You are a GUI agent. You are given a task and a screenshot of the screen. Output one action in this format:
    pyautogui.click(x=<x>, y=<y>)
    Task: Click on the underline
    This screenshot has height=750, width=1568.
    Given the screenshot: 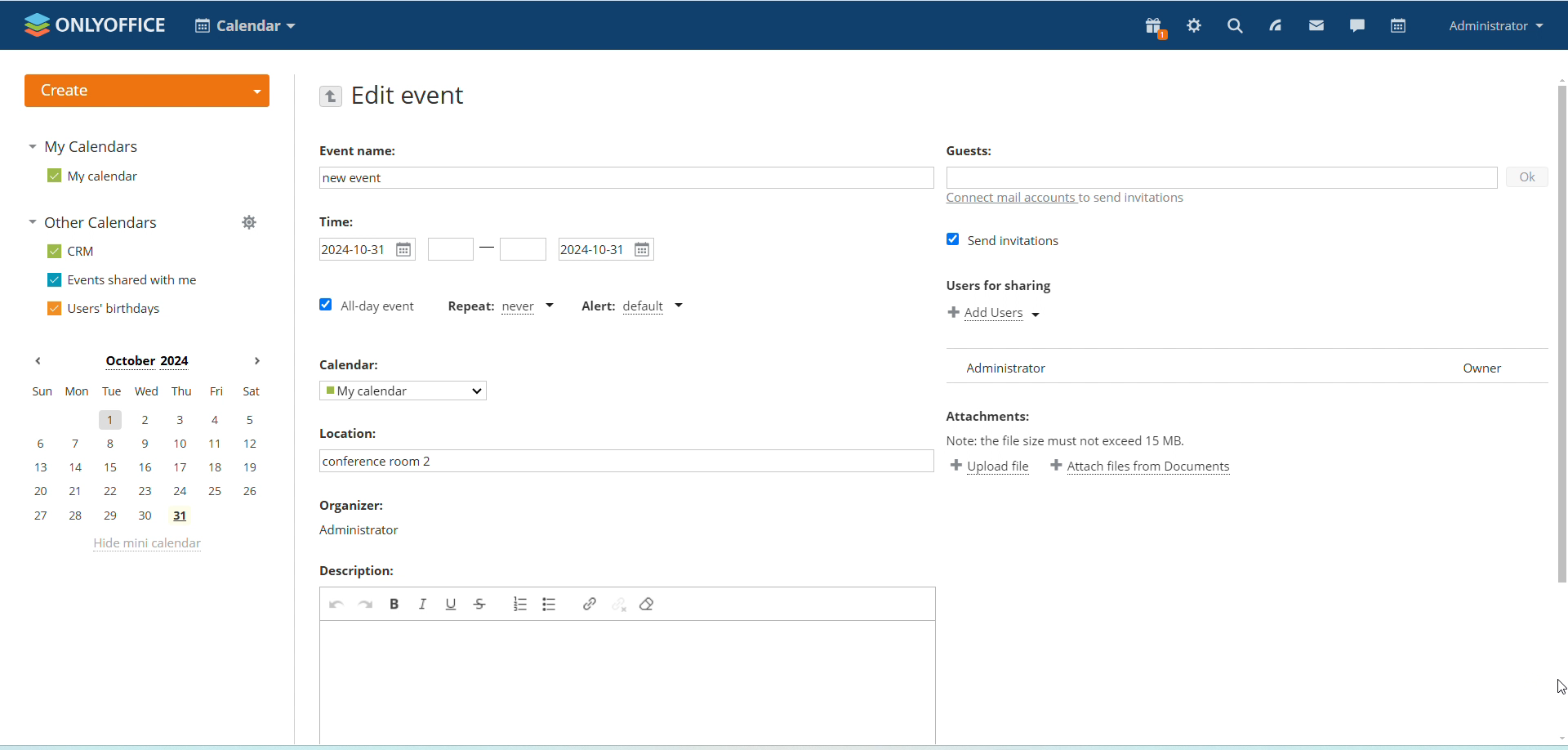 What is the action you would take?
    pyautogui.click(x=450, y=604)
    